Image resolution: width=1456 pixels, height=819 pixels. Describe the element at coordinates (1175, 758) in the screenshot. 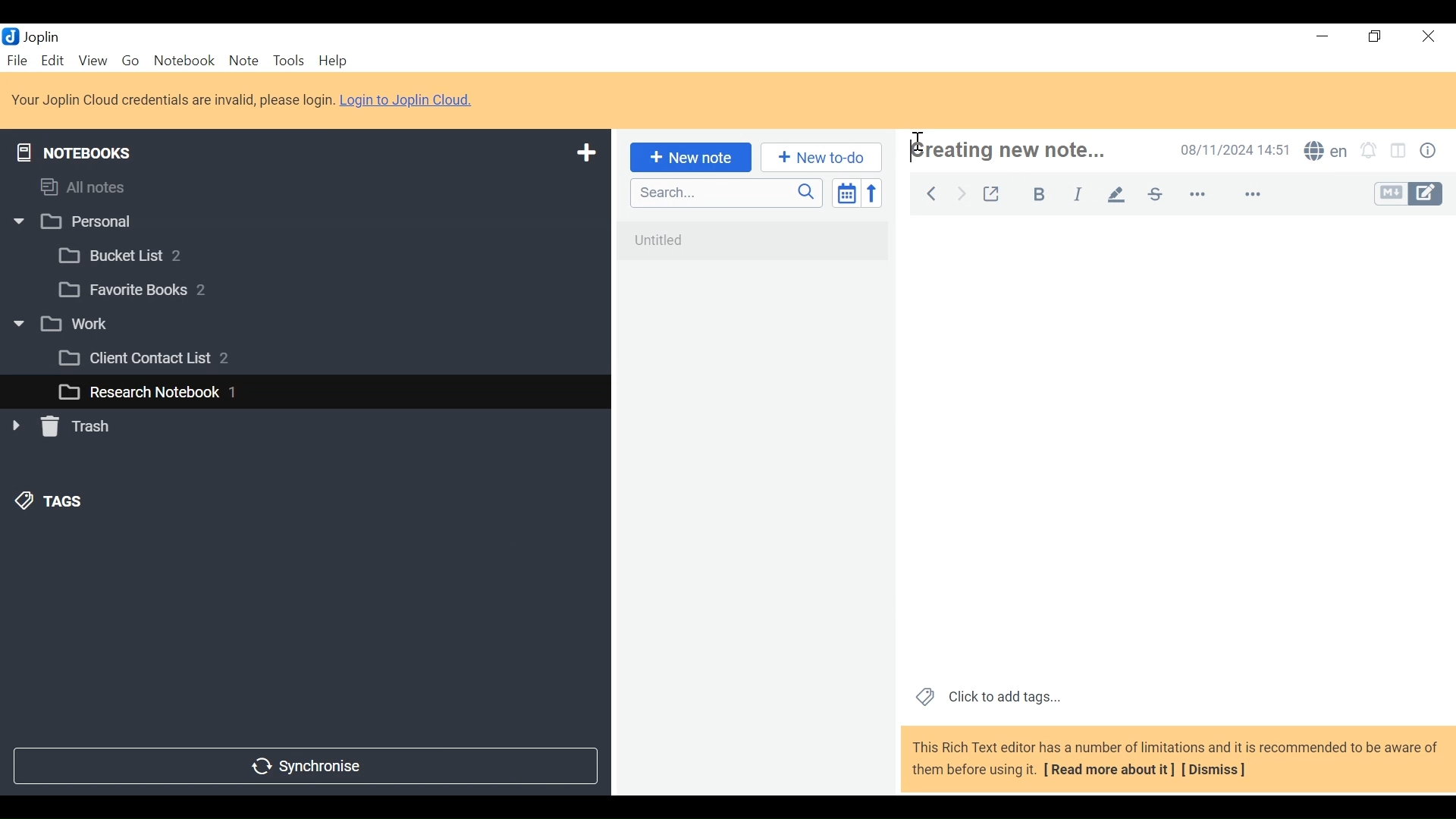

I see `This Rich Text editor has a number of limitations and it is recommended to be aware of
them before using it. [ Read more about it] [Dismiss]` at that location.